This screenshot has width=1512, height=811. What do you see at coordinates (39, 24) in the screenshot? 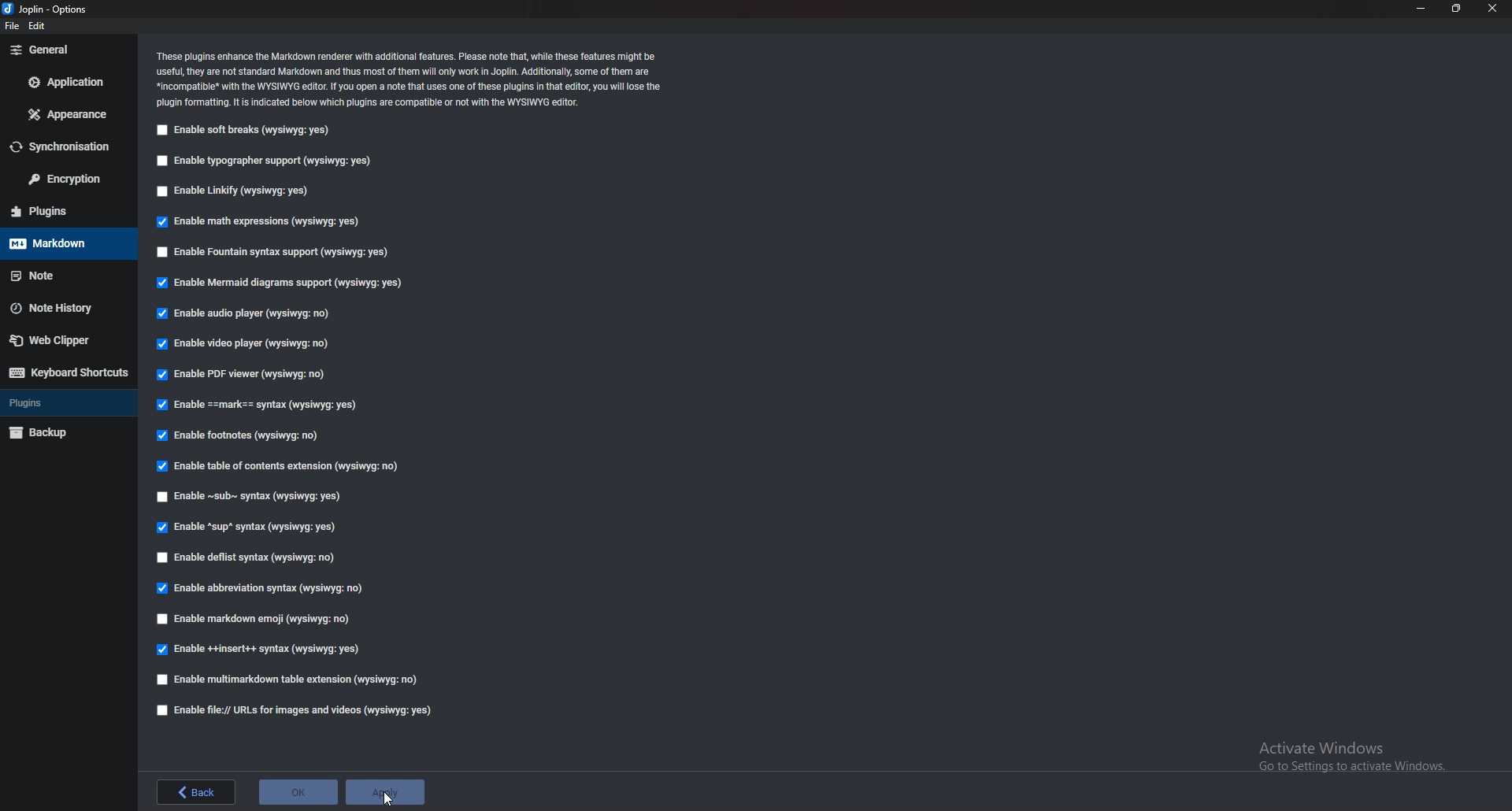
I see `edit` at bounding box center [39, 24].